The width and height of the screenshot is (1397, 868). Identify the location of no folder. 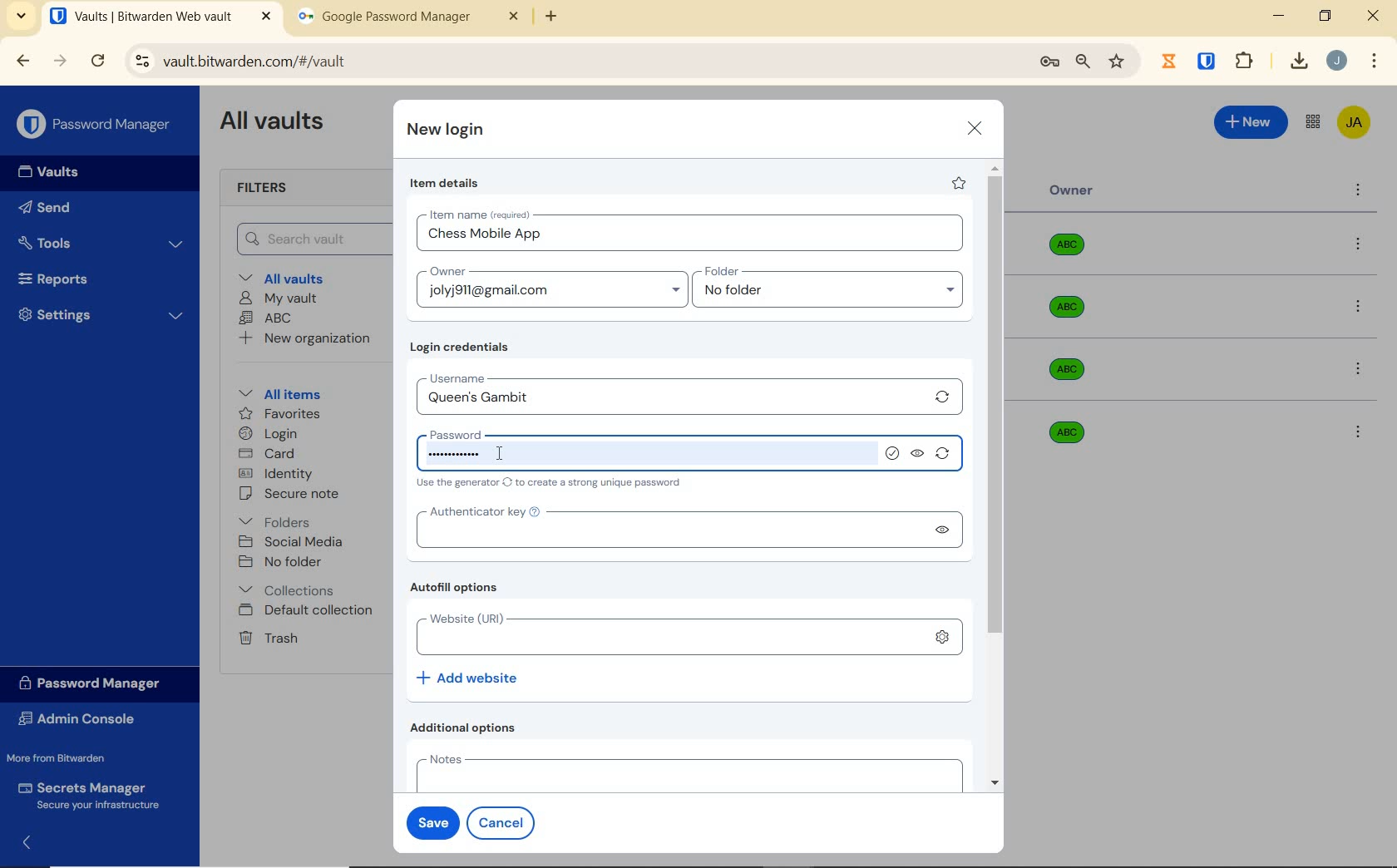
(834, 294).